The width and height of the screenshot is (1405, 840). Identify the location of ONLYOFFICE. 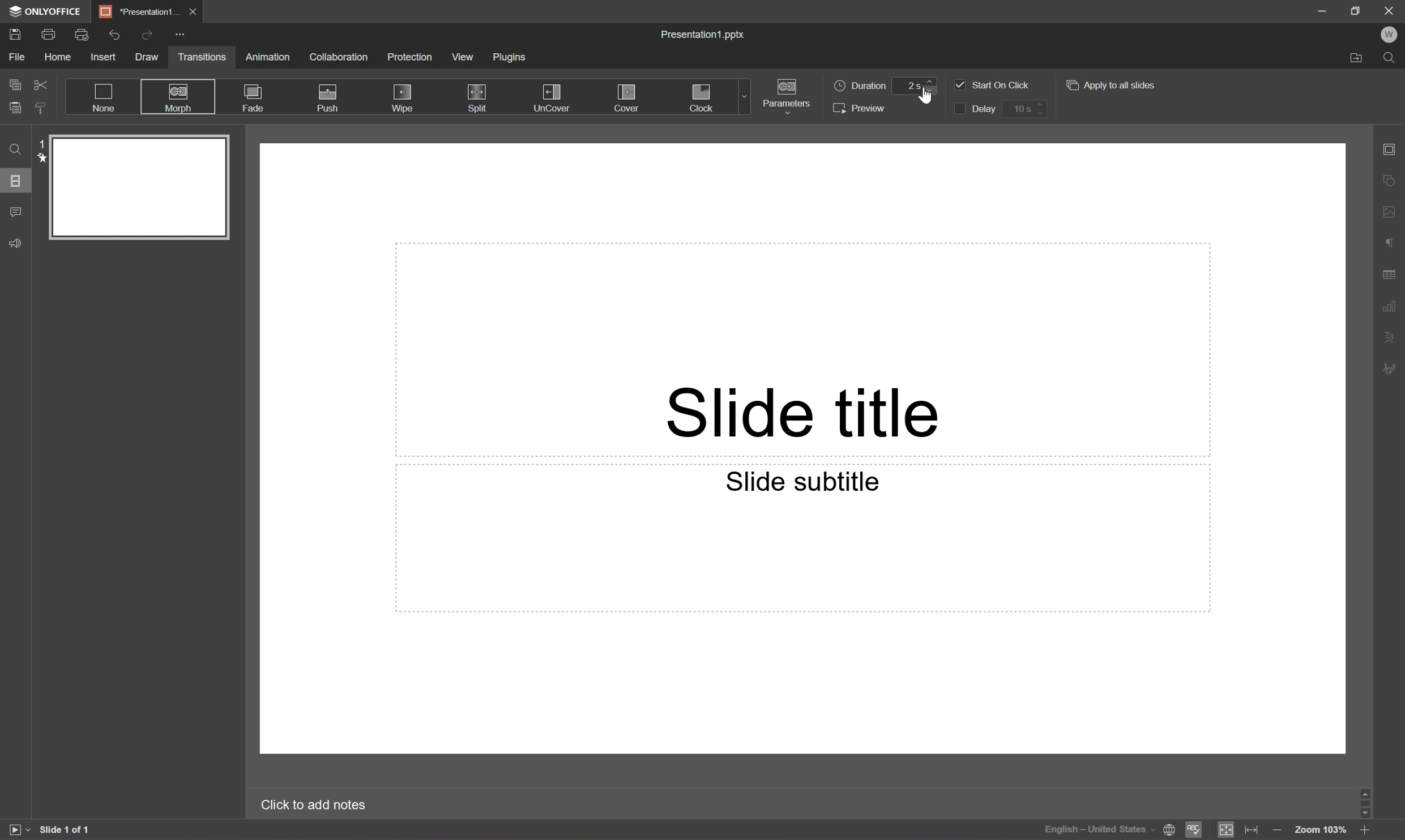
(48, 11).